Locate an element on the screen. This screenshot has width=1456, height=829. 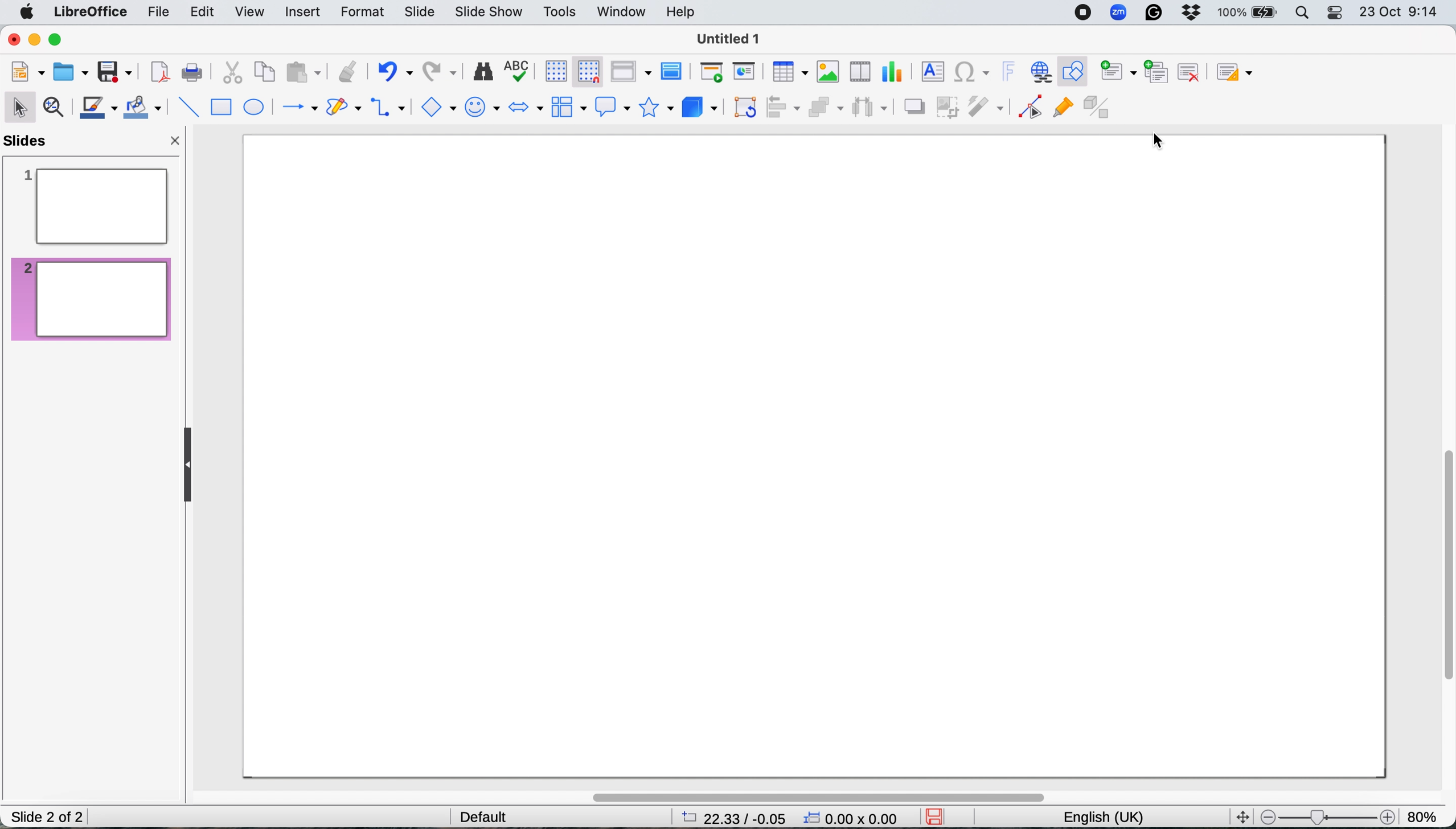
system logo is located at coordinates (26, 13).